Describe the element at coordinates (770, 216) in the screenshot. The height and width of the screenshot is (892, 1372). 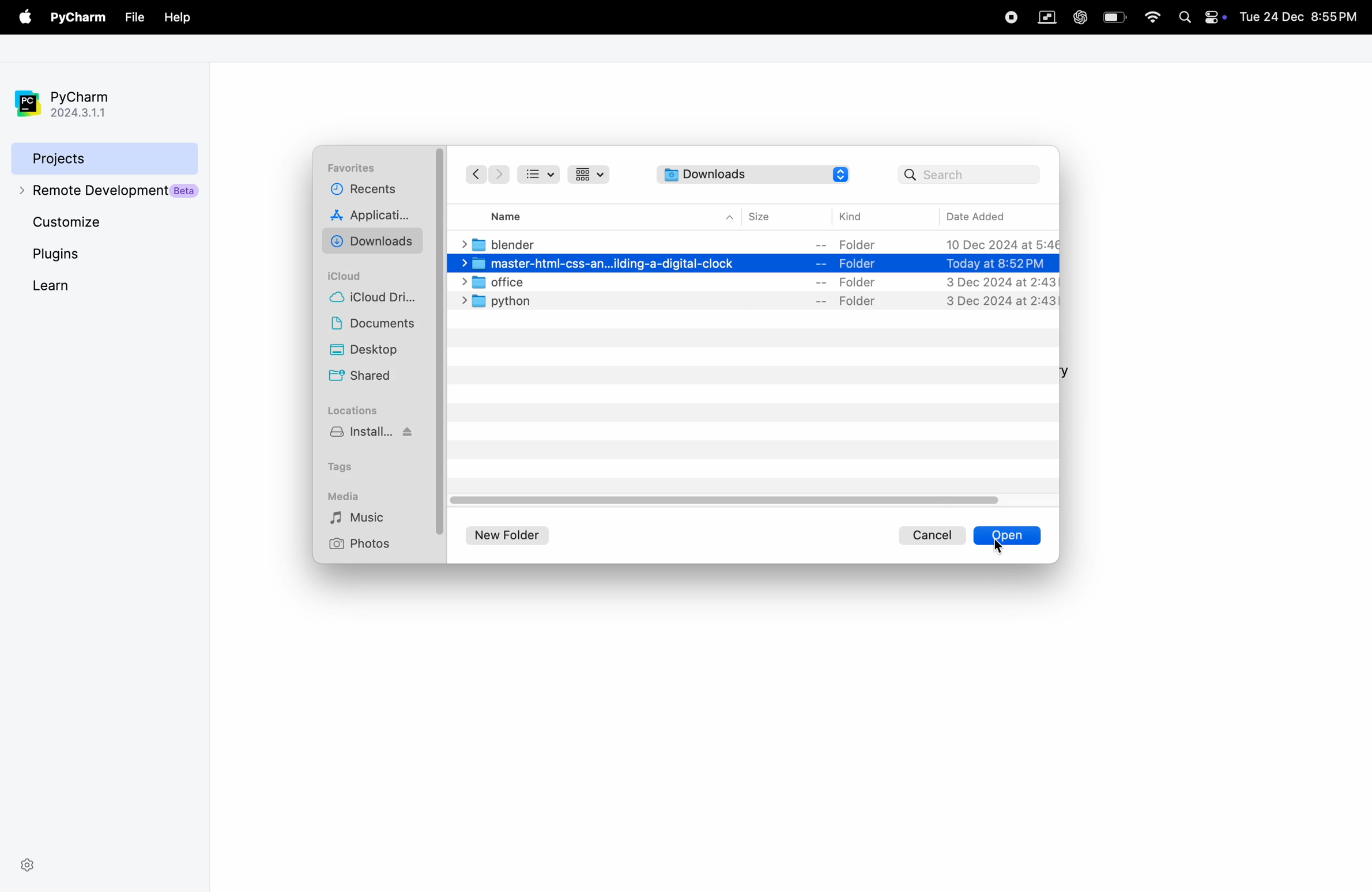
I see `size` at that location.